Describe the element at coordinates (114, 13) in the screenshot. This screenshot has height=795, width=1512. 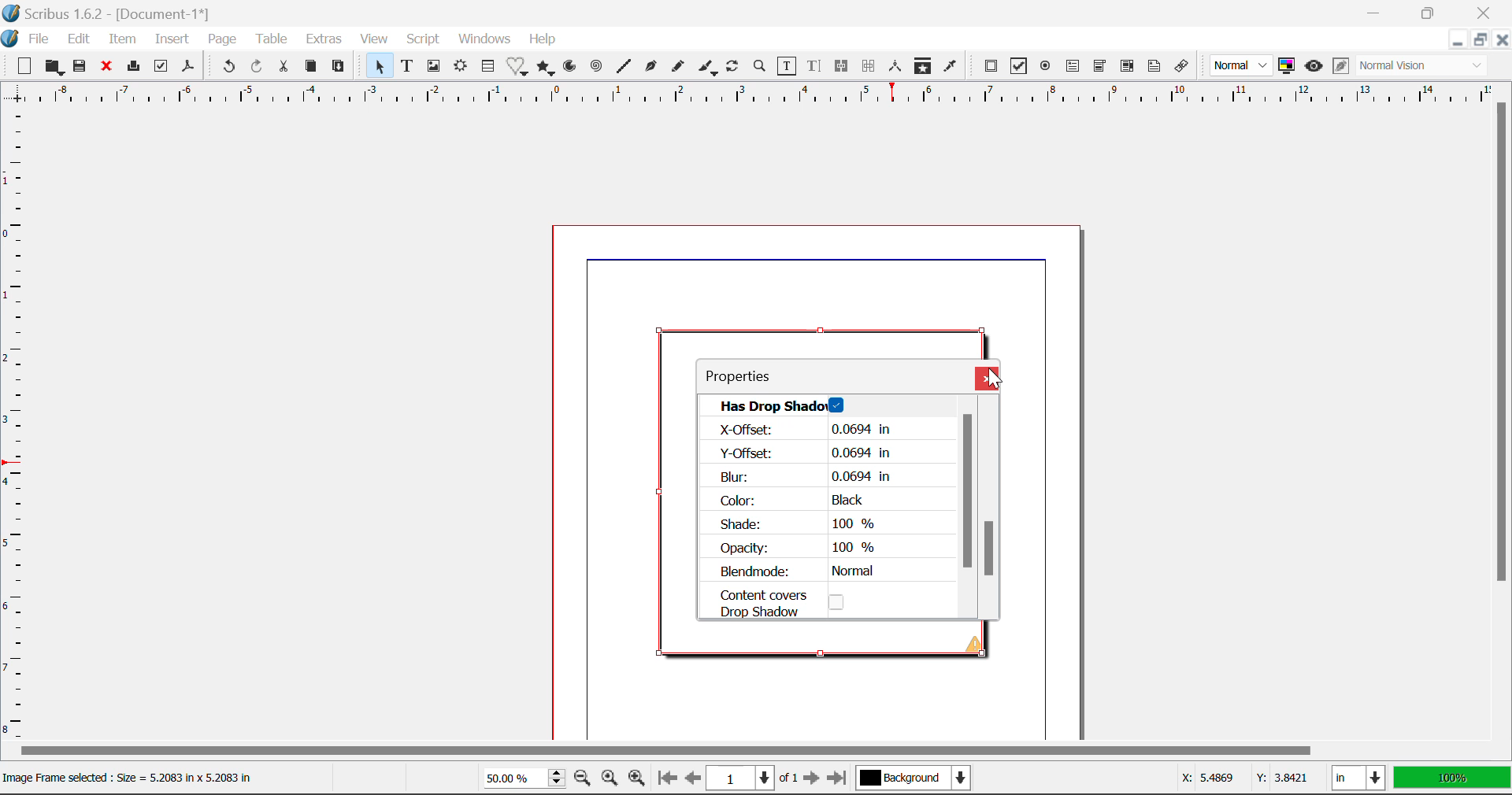
I see `Scribus 1.6.2 - [Document-1*]` at that location.